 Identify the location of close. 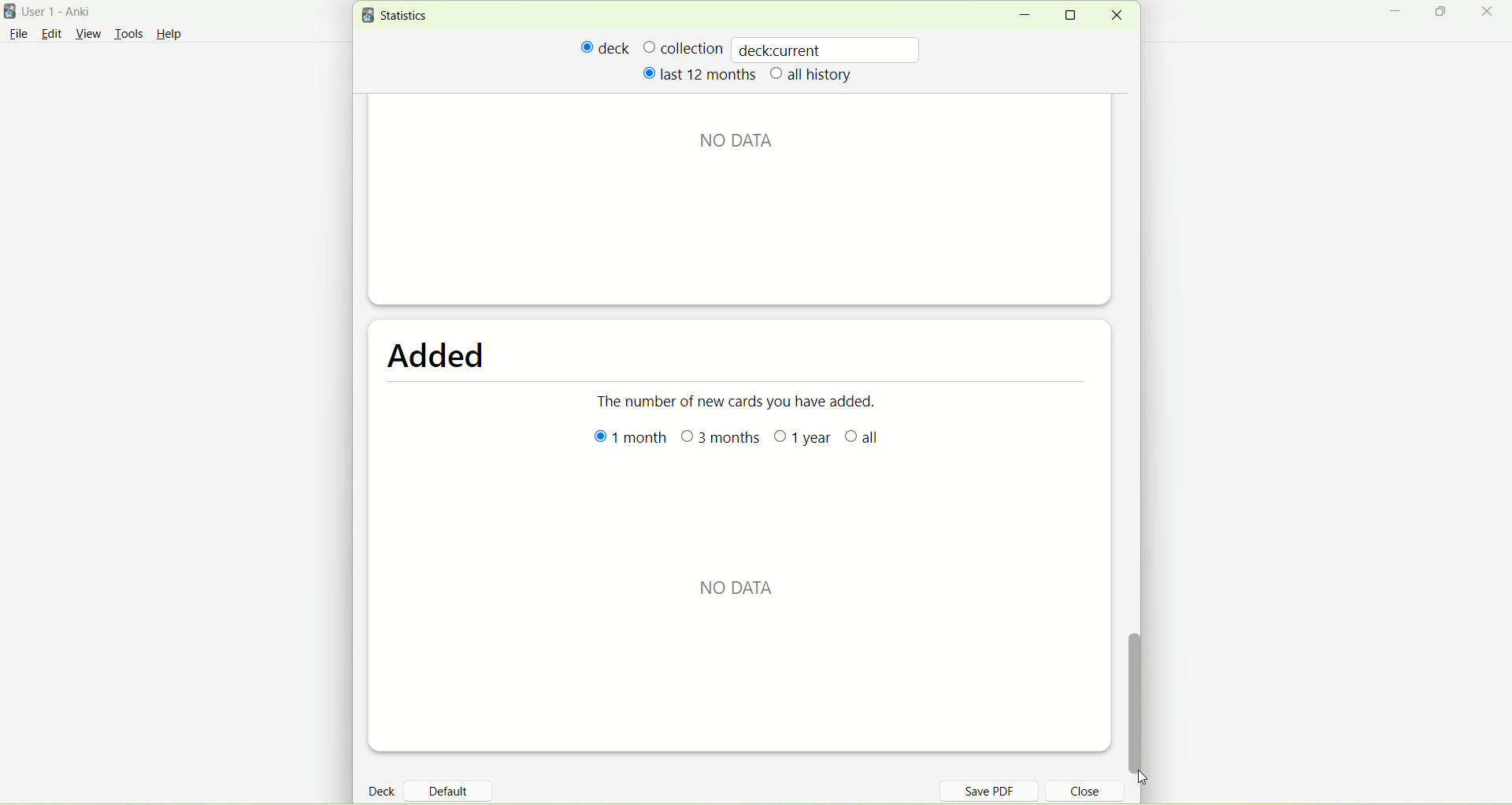
(1490, 13).